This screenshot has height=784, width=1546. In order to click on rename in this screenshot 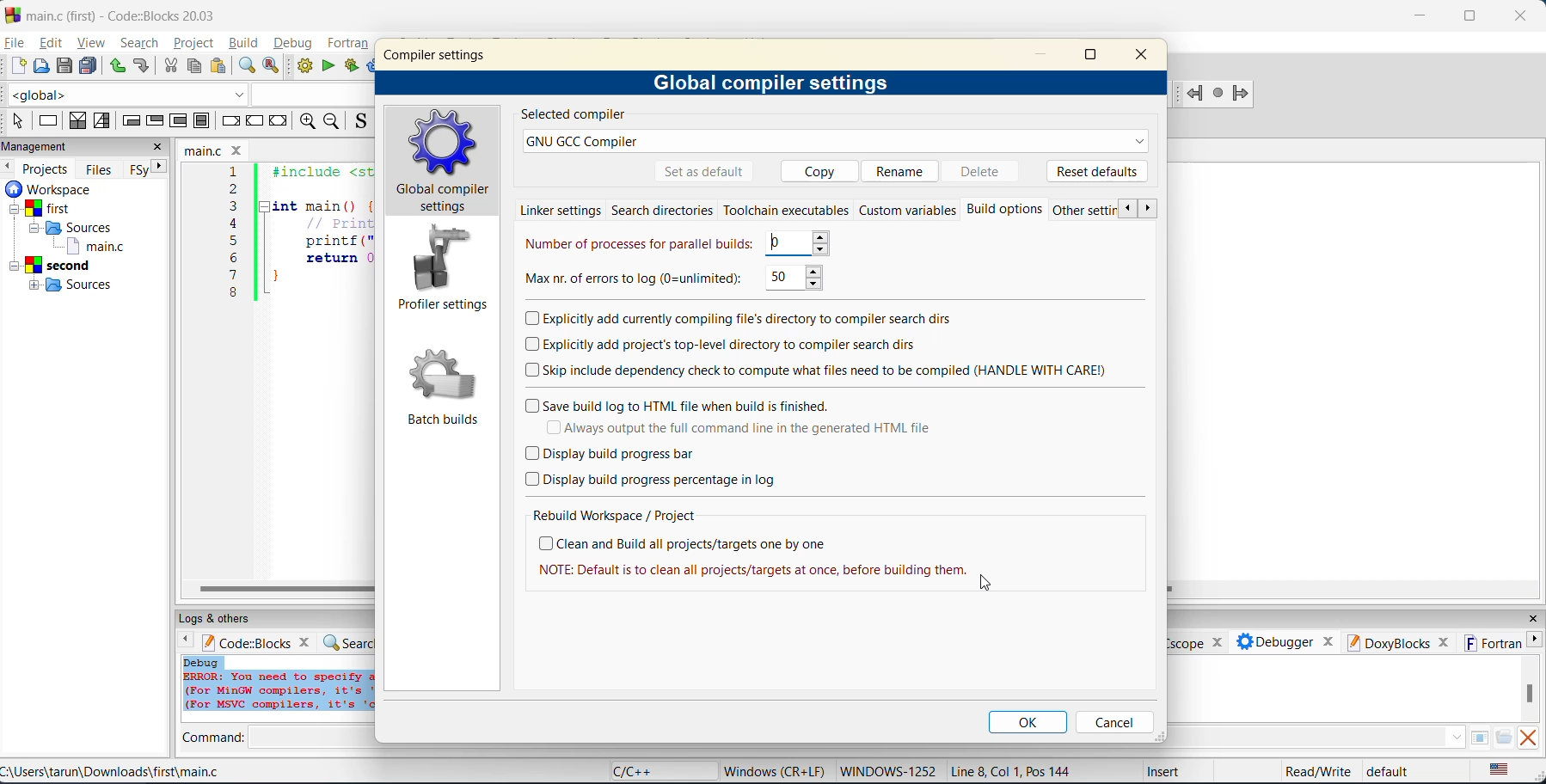, I will do `click(902, 169)`.